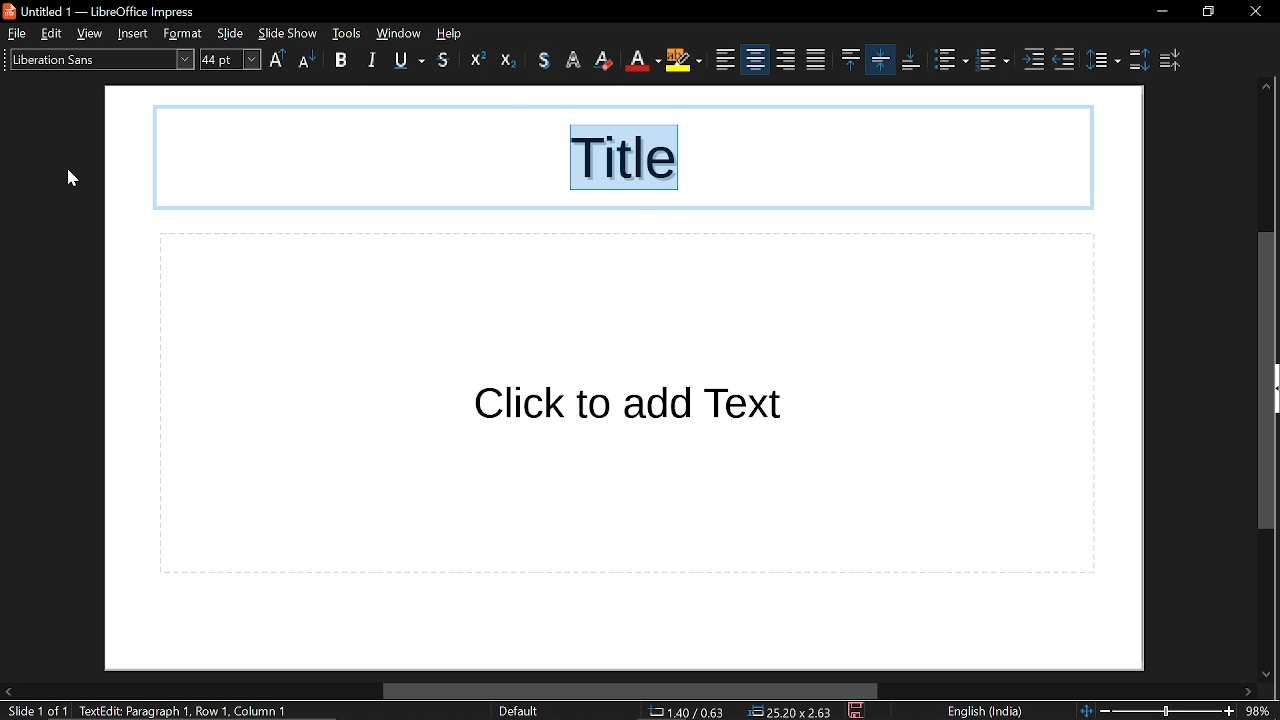 The height and width of the screenshot is (720, 1280). What do you see at coordinates (1255, 12) in the screenshot?
I see `close` at bounding box center [1255, 12].